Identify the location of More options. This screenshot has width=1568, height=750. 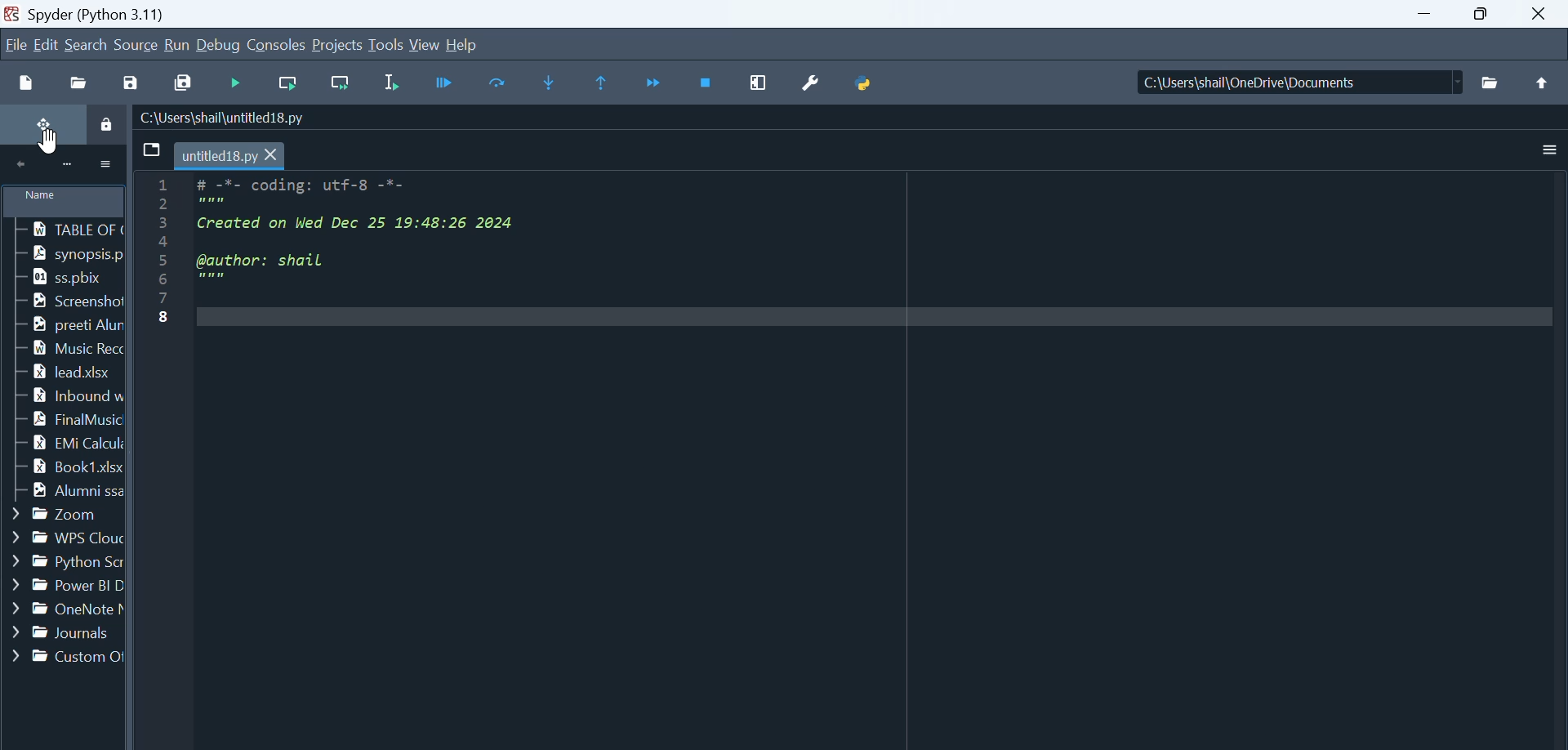
(1550, 150).